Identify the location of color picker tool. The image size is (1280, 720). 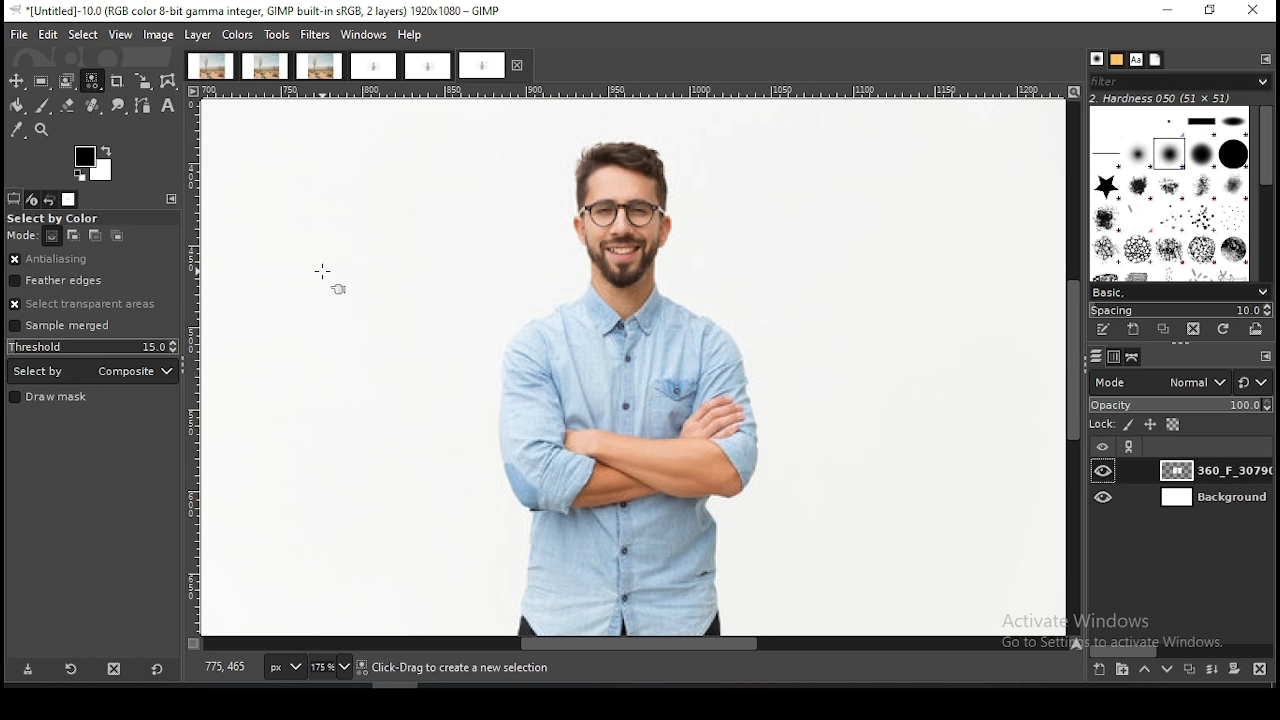
(16, 130).